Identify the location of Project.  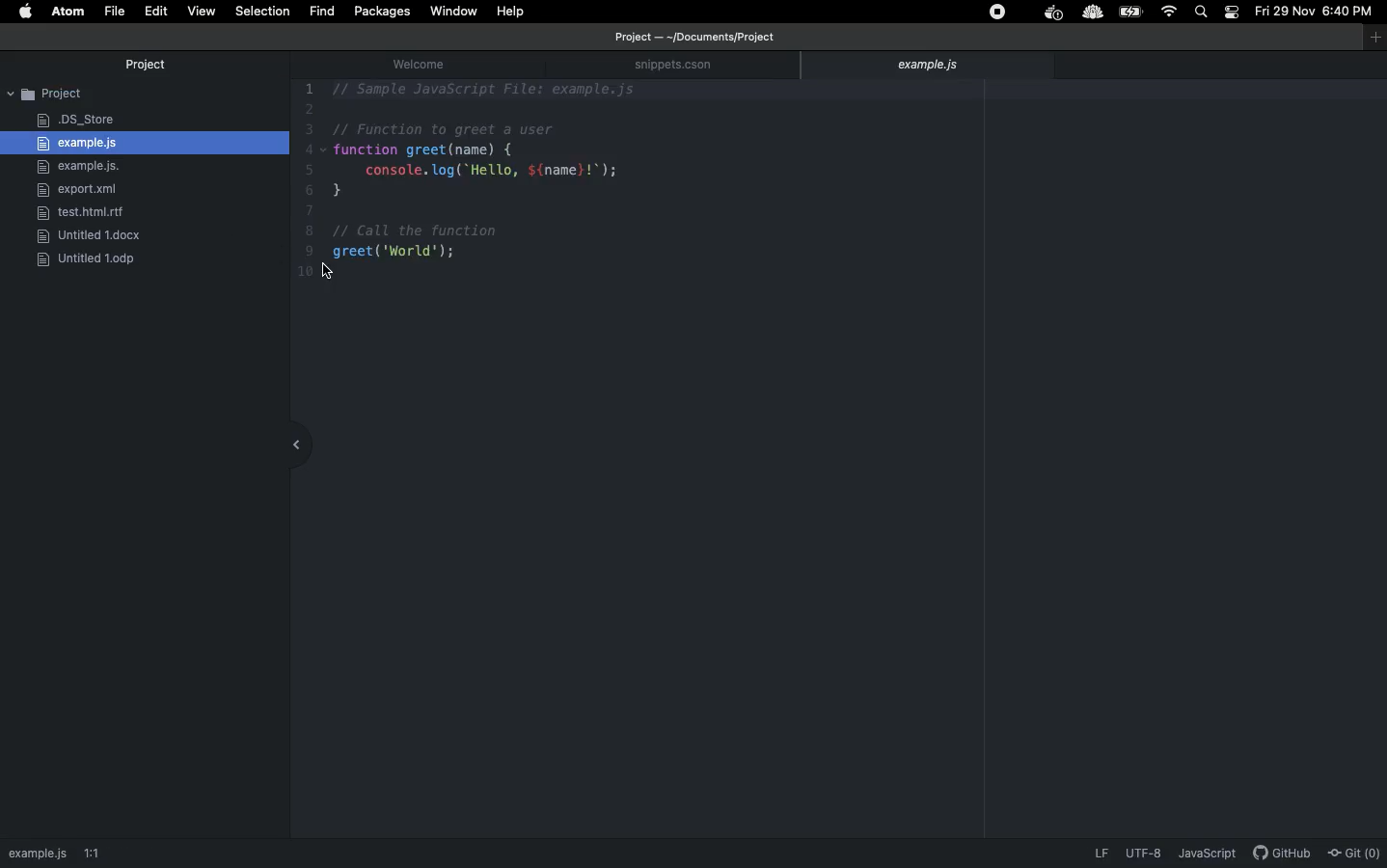
(145, 94).